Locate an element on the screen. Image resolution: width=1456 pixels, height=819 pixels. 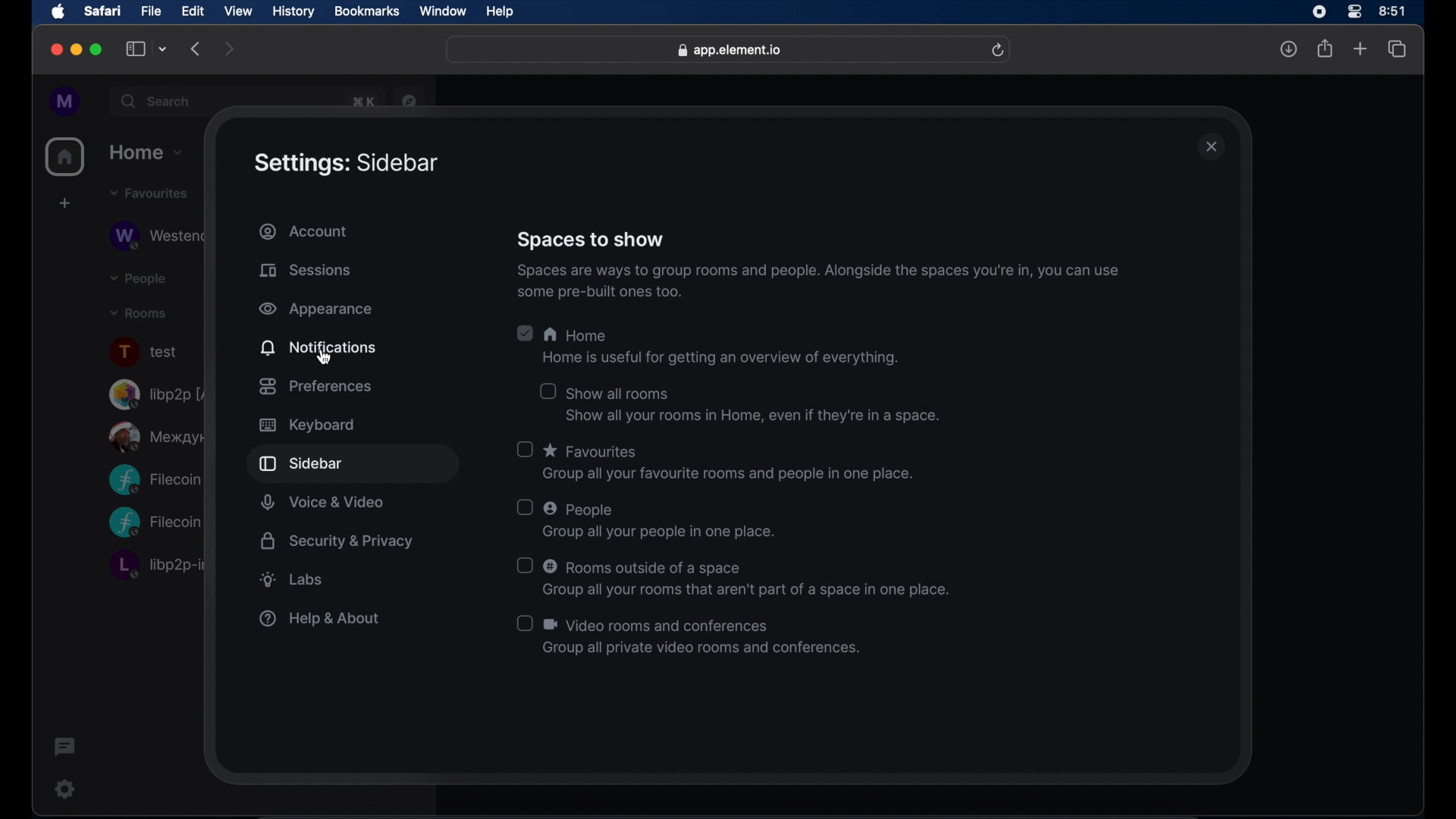
Westend is located at coordinates (159, 235).